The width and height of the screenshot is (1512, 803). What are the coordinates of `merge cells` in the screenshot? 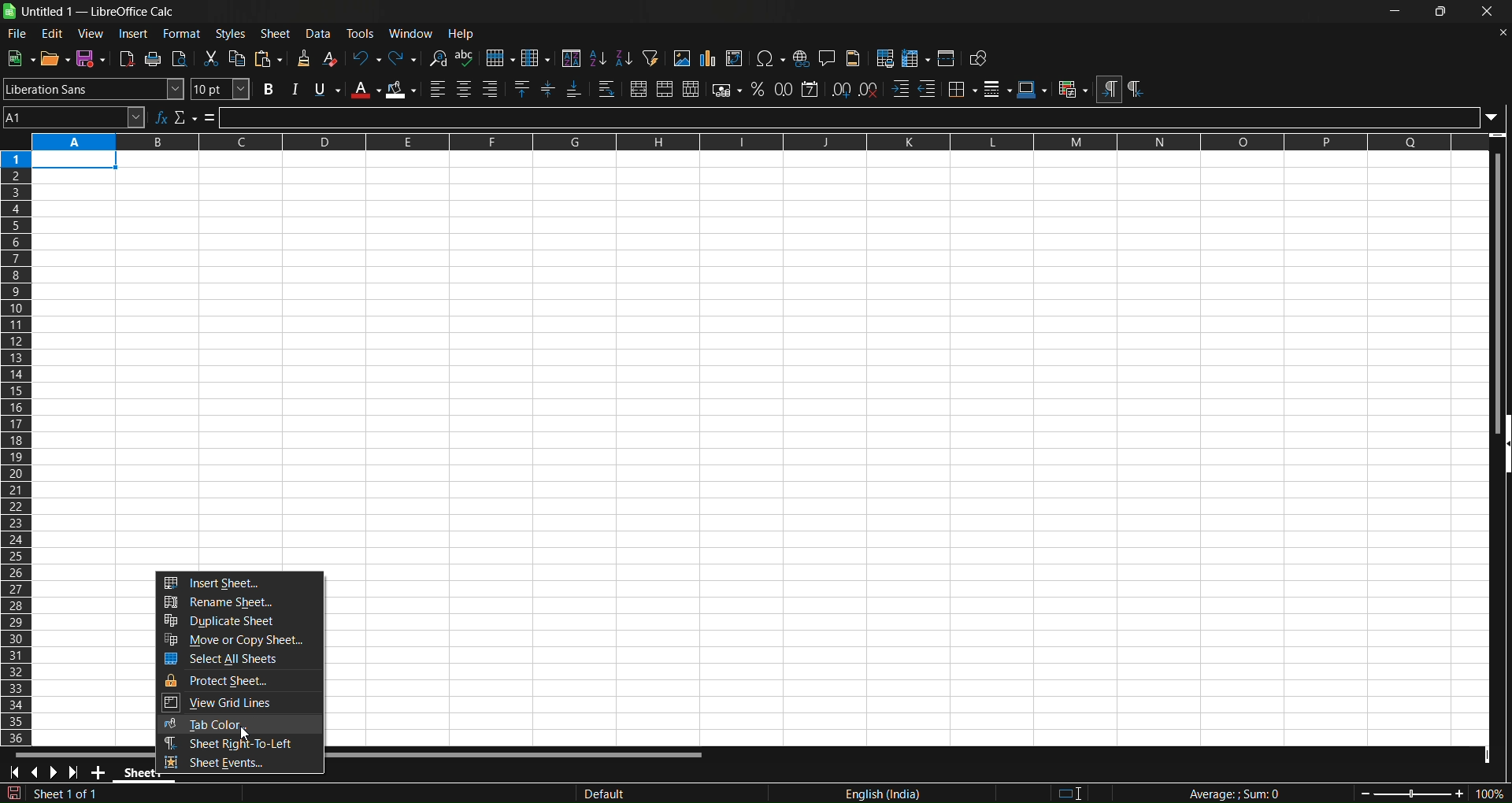 It's located at (665, 90).